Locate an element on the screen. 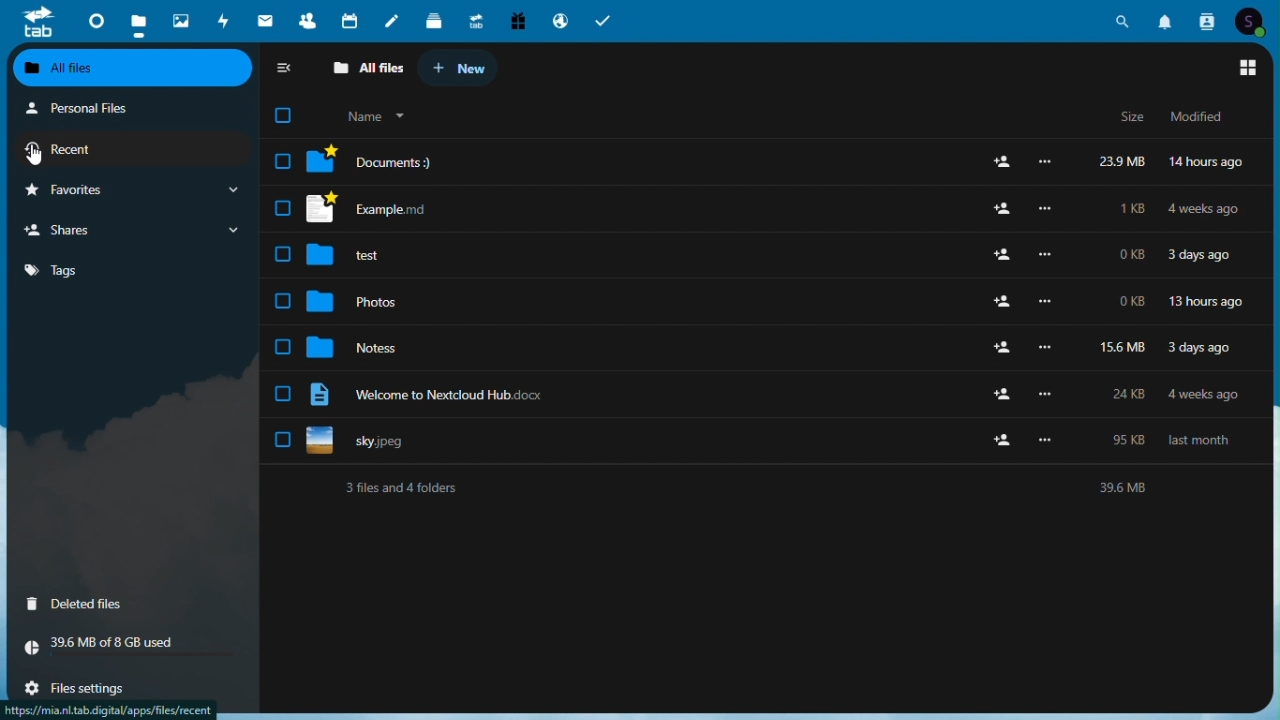  favourites is located at coordinates (130, 190).